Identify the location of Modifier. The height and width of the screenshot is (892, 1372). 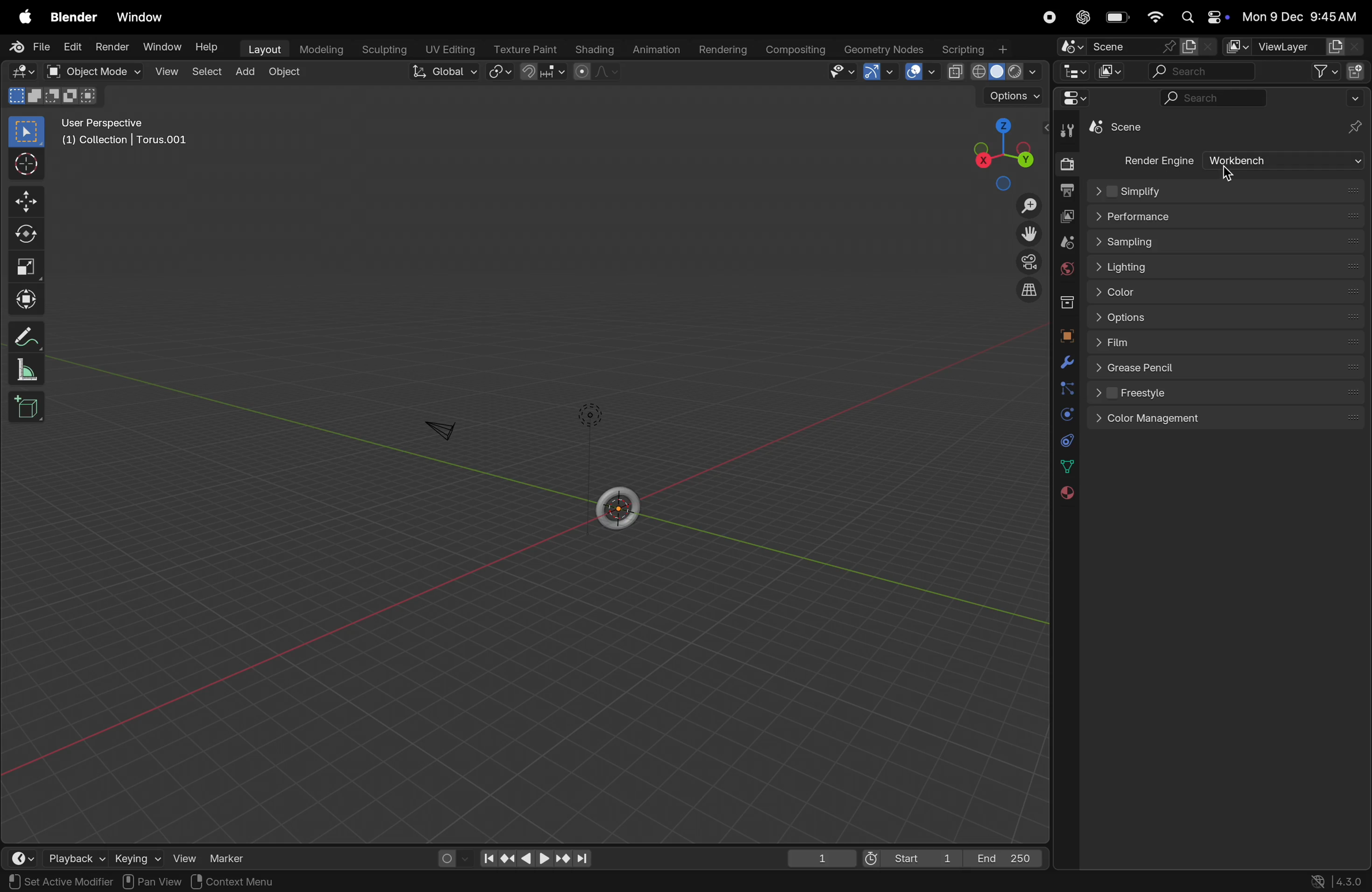
(95, 882).